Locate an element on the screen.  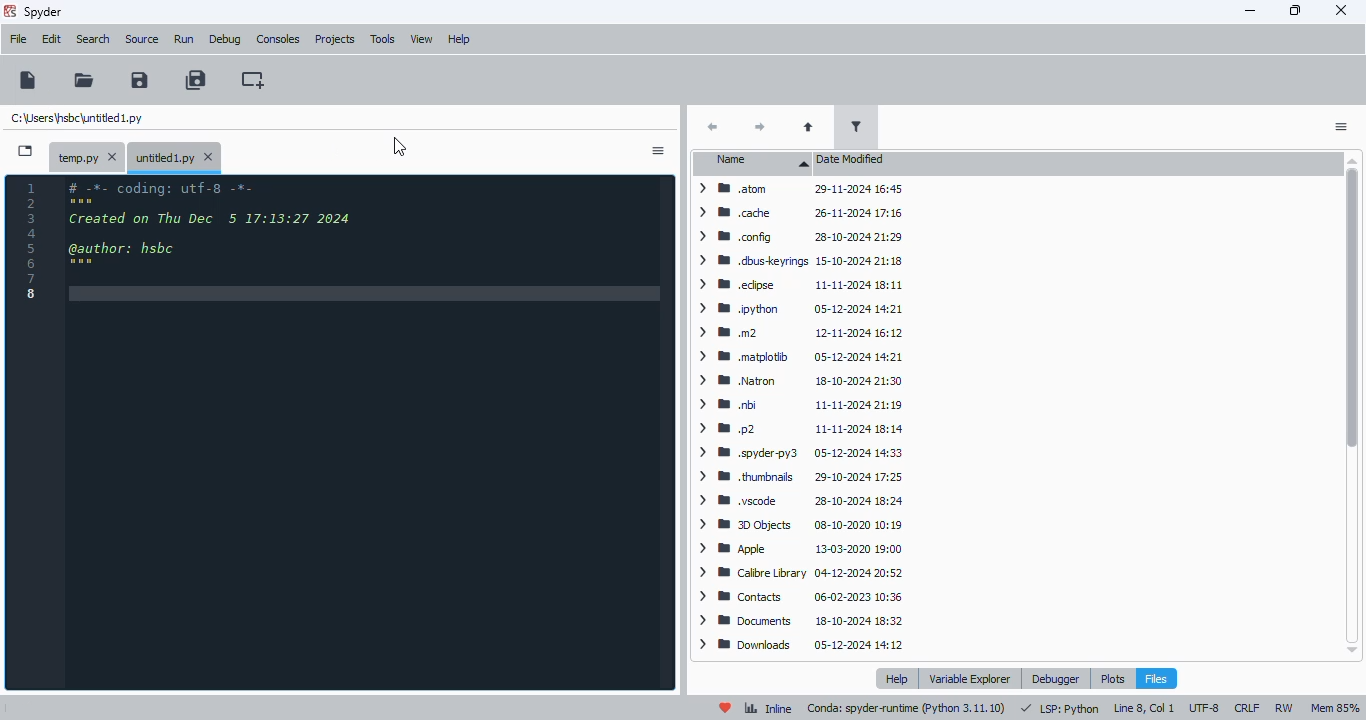
new file is located at coordinates (26, 708).